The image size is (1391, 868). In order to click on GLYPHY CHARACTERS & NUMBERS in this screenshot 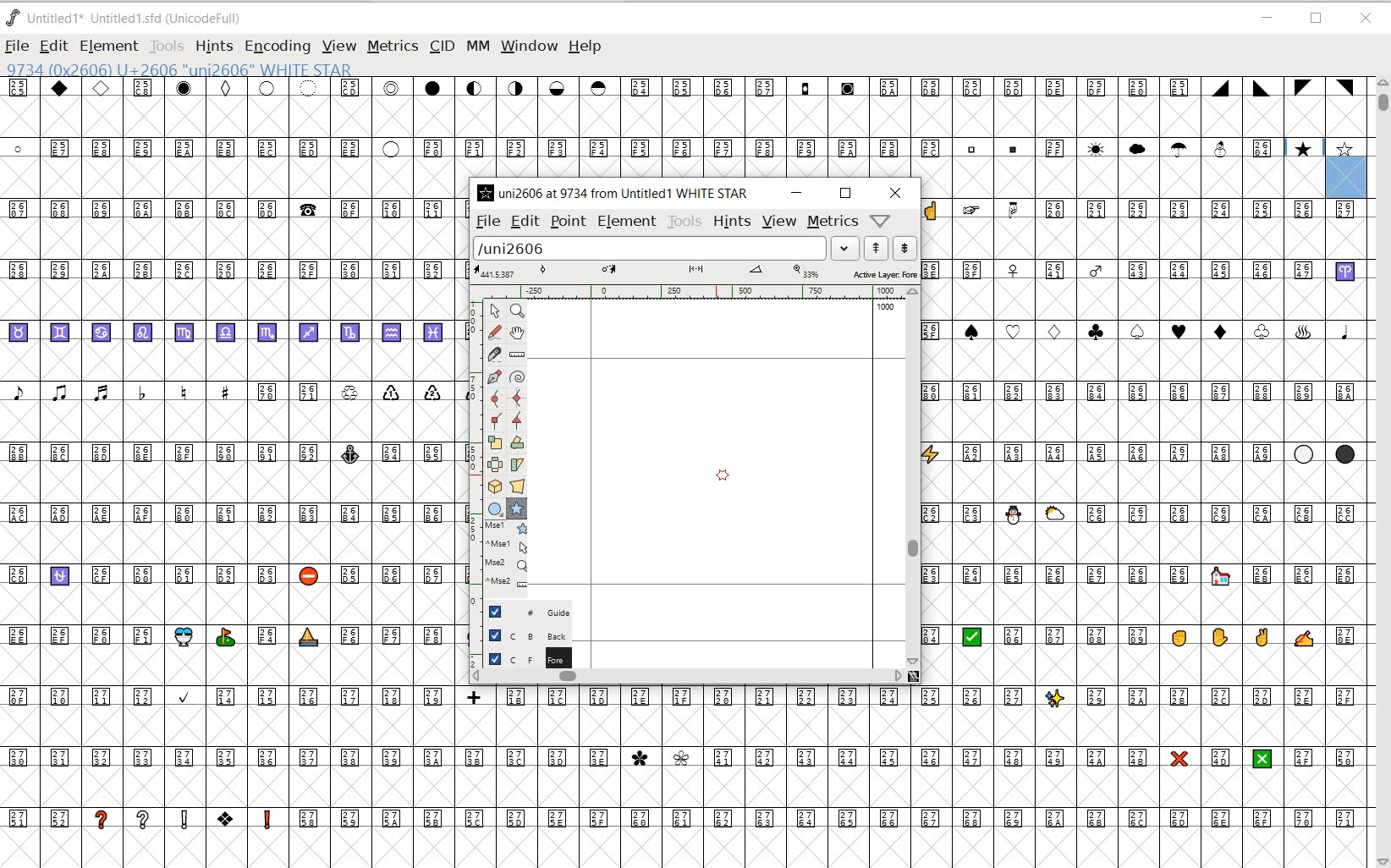, I will do `click(229, 523)`.